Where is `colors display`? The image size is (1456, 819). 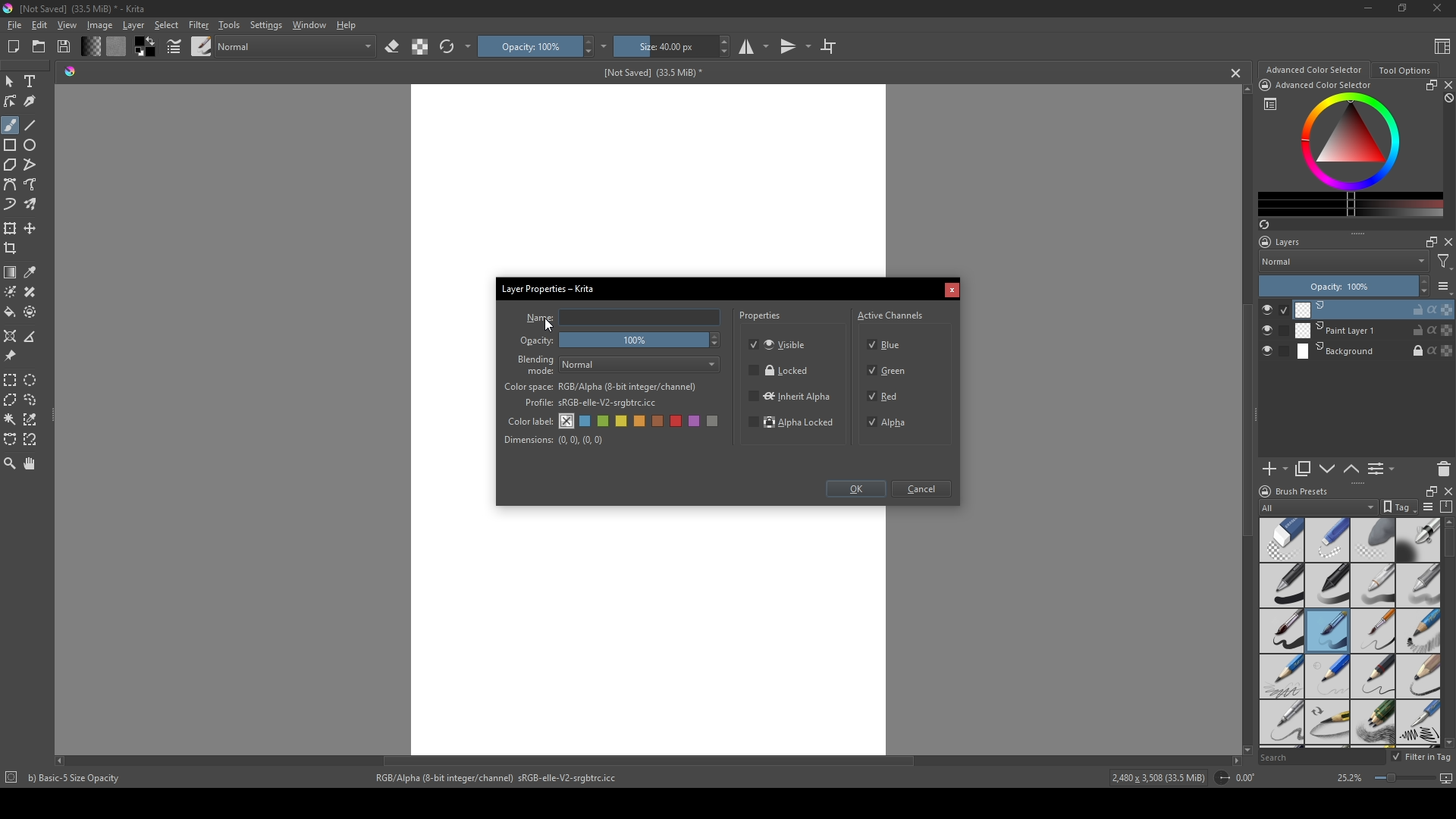
colors display is located at coordinates (1352, 142).